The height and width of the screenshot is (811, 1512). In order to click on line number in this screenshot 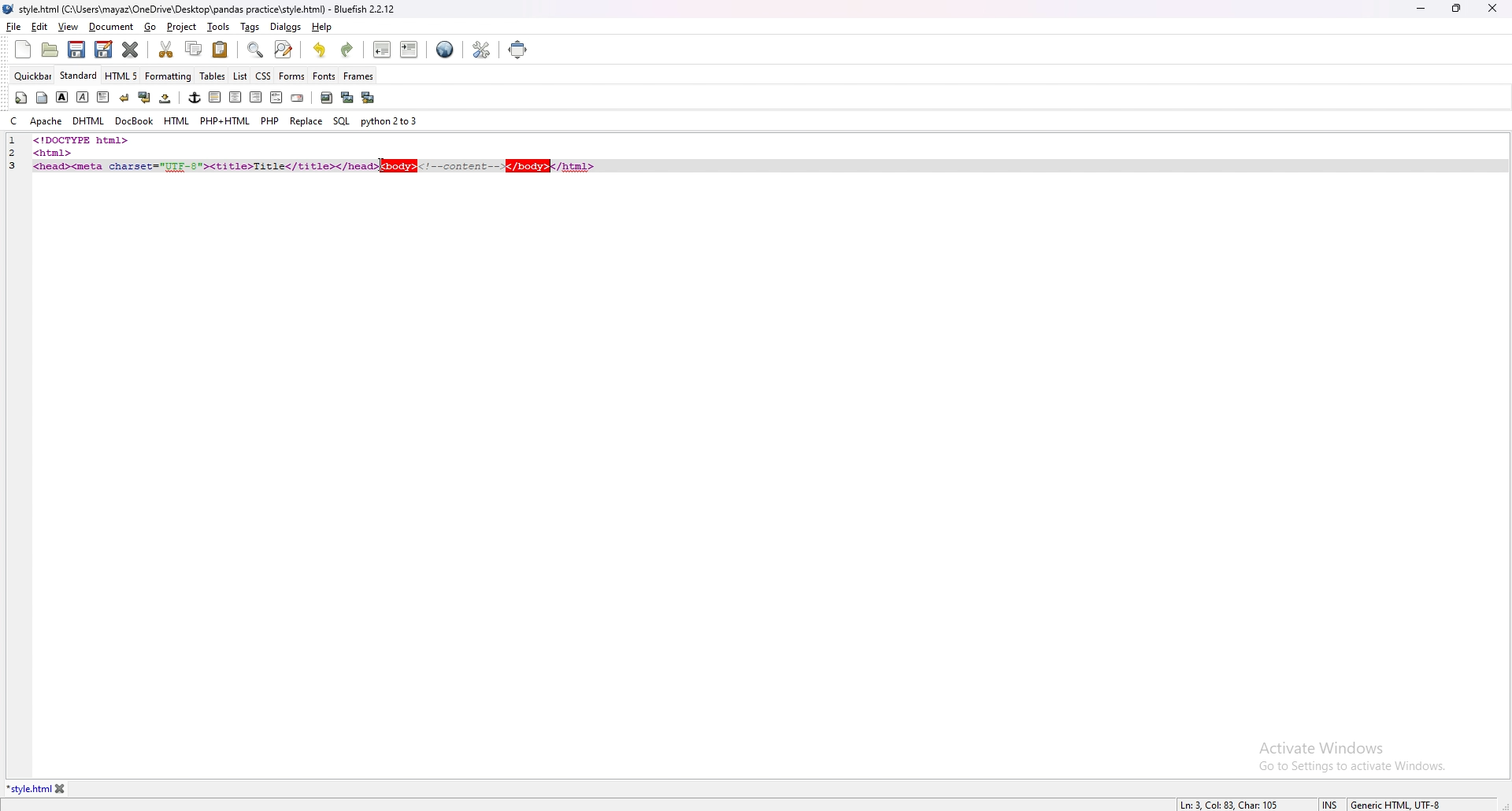, I will do `click(18, 152)`.